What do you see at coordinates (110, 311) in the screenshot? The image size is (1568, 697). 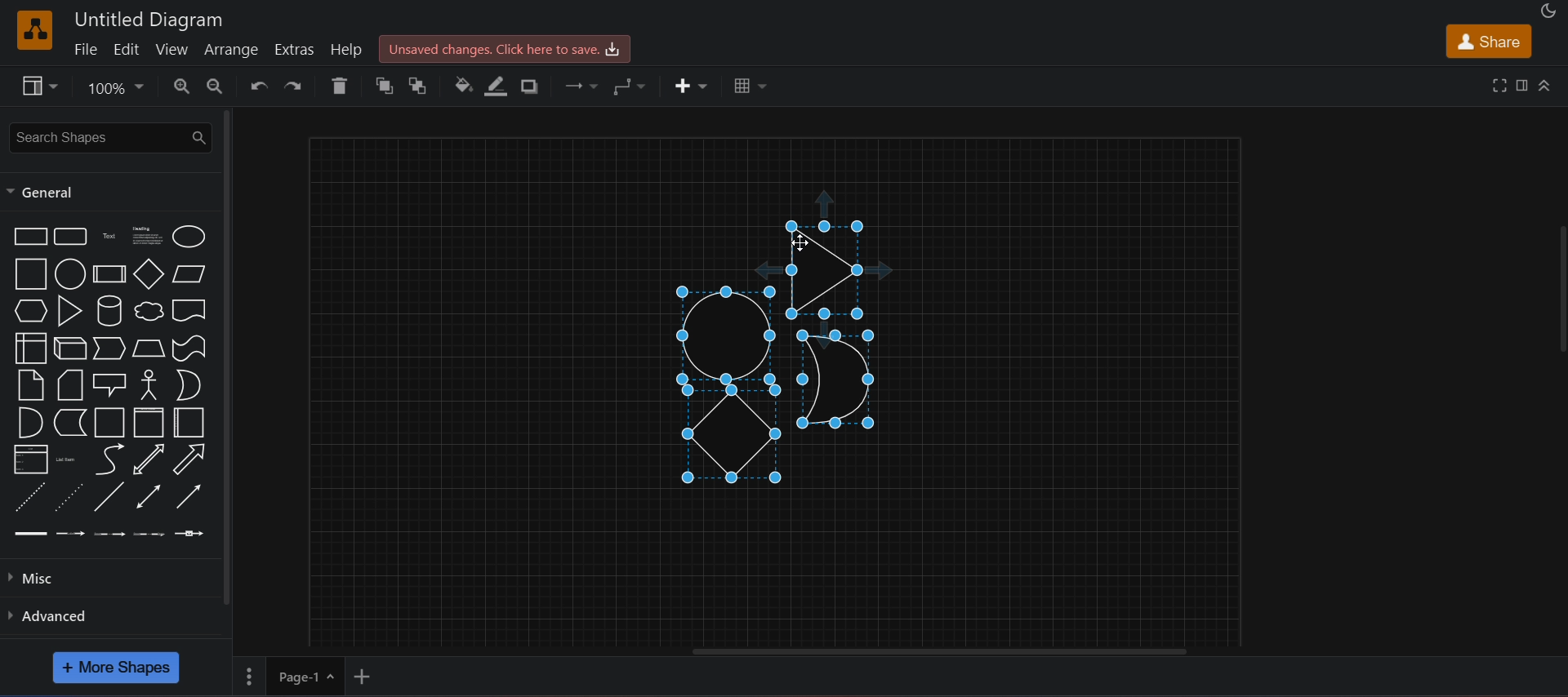 I see `cylinder` at bounding box center [110, 311].